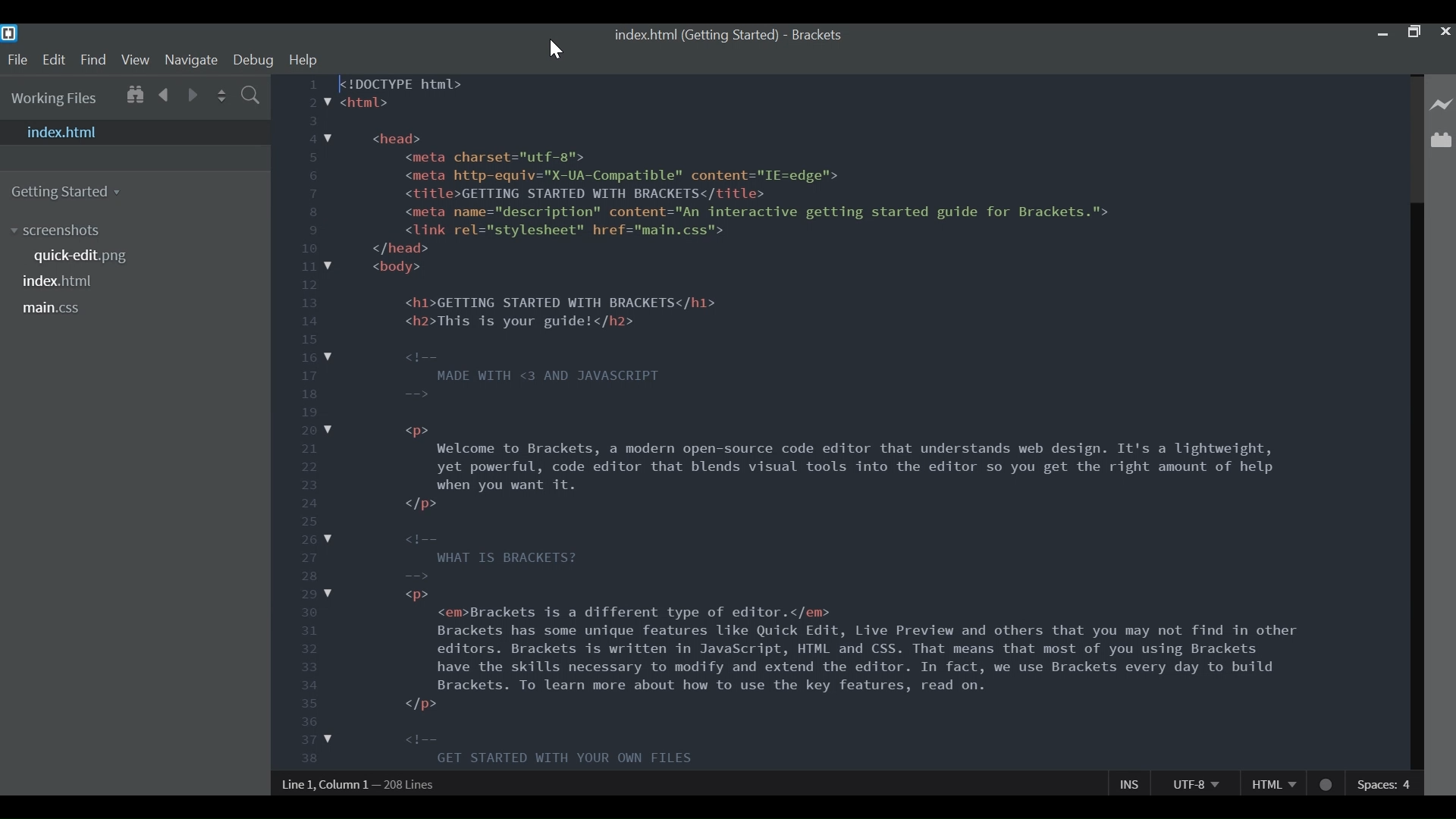 This screenshot has width=1456, height=819. Describe the element at coordinates (1442, 105) in the screenshot. I see `Live Preview ` at that location.